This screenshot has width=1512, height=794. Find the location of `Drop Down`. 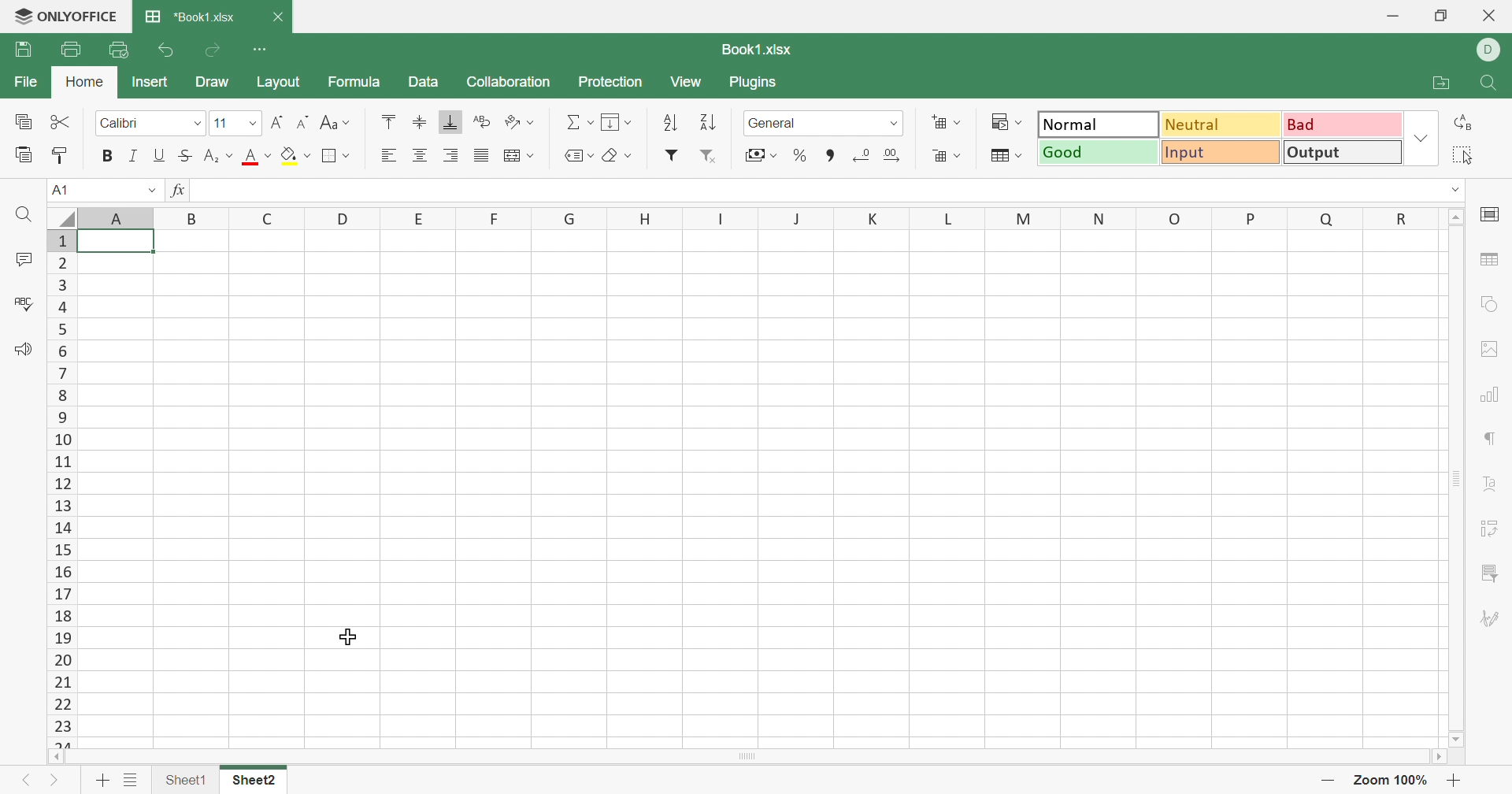

Drop Down is located at coordinates (150, 189).